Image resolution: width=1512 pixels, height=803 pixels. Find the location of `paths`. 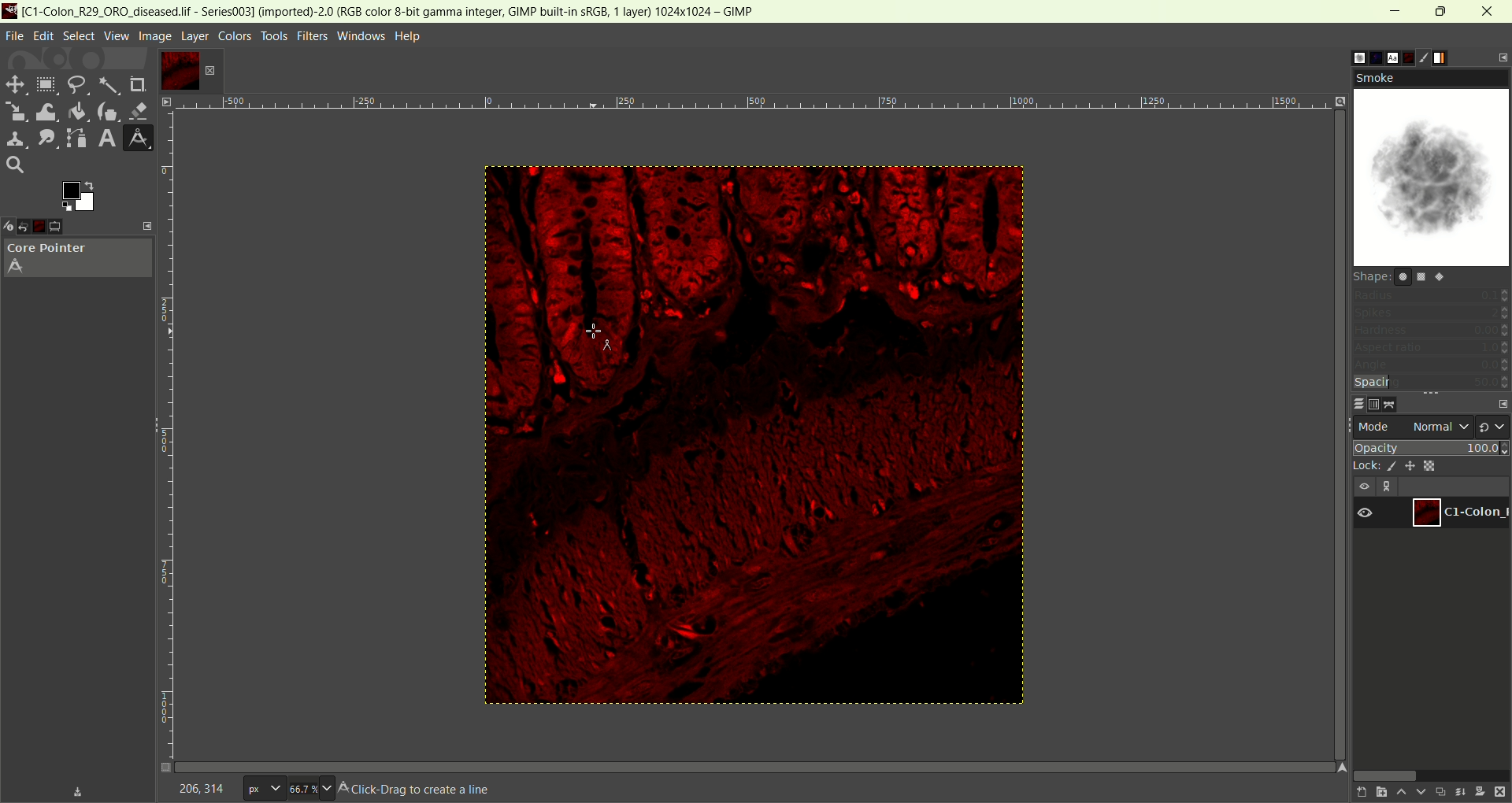

paths is located at coordinates (1394, 404).